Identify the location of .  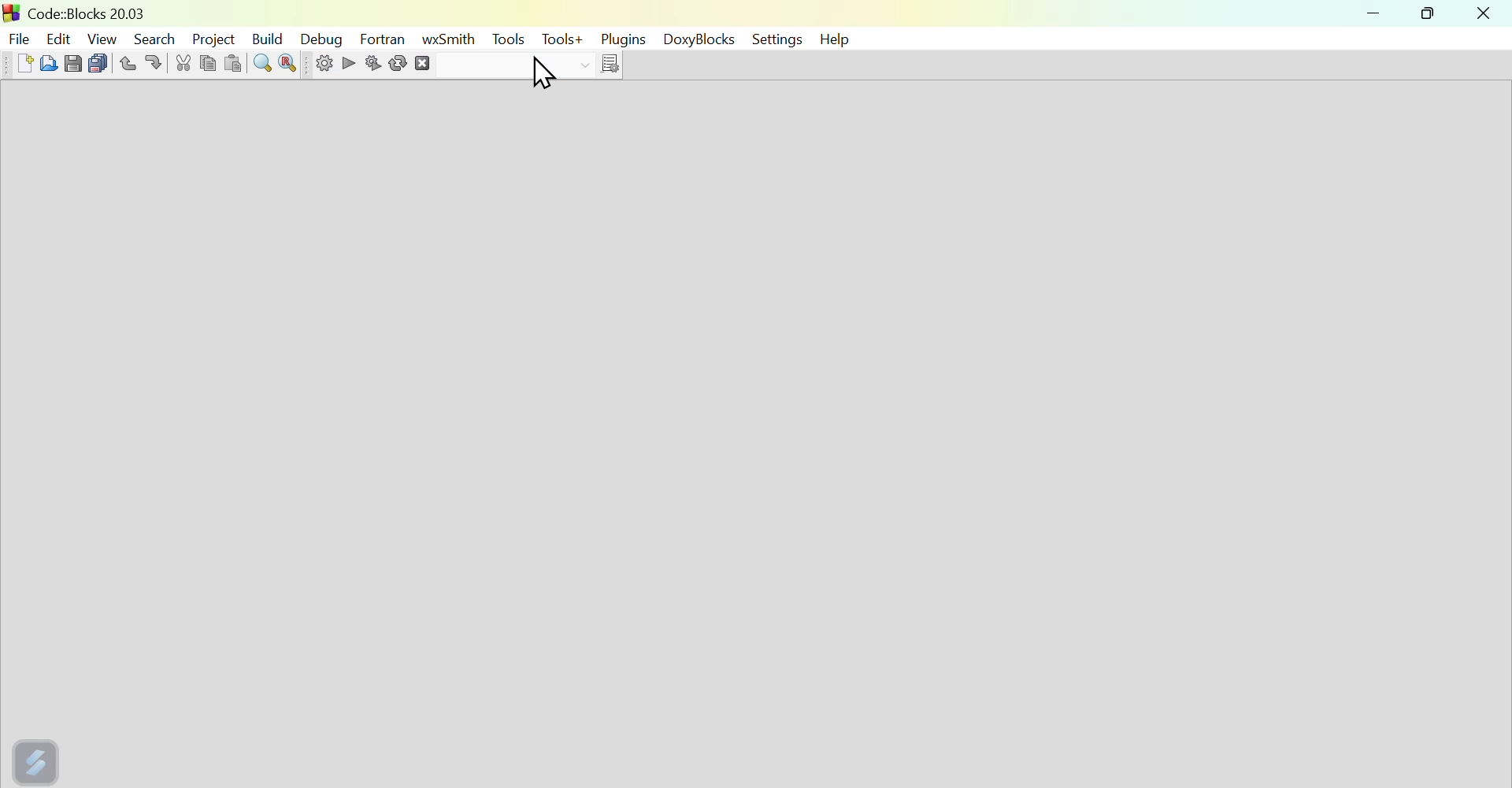
(508, 39).